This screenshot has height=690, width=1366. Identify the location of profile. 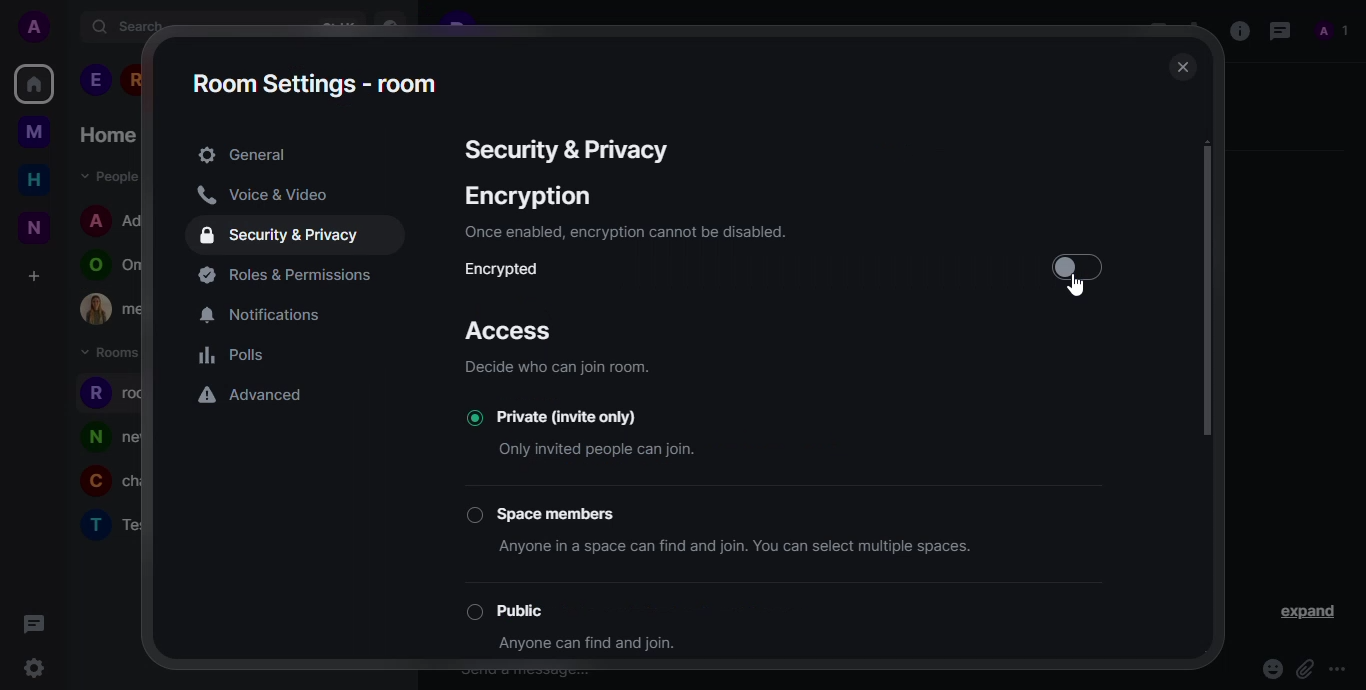
(94, 393).